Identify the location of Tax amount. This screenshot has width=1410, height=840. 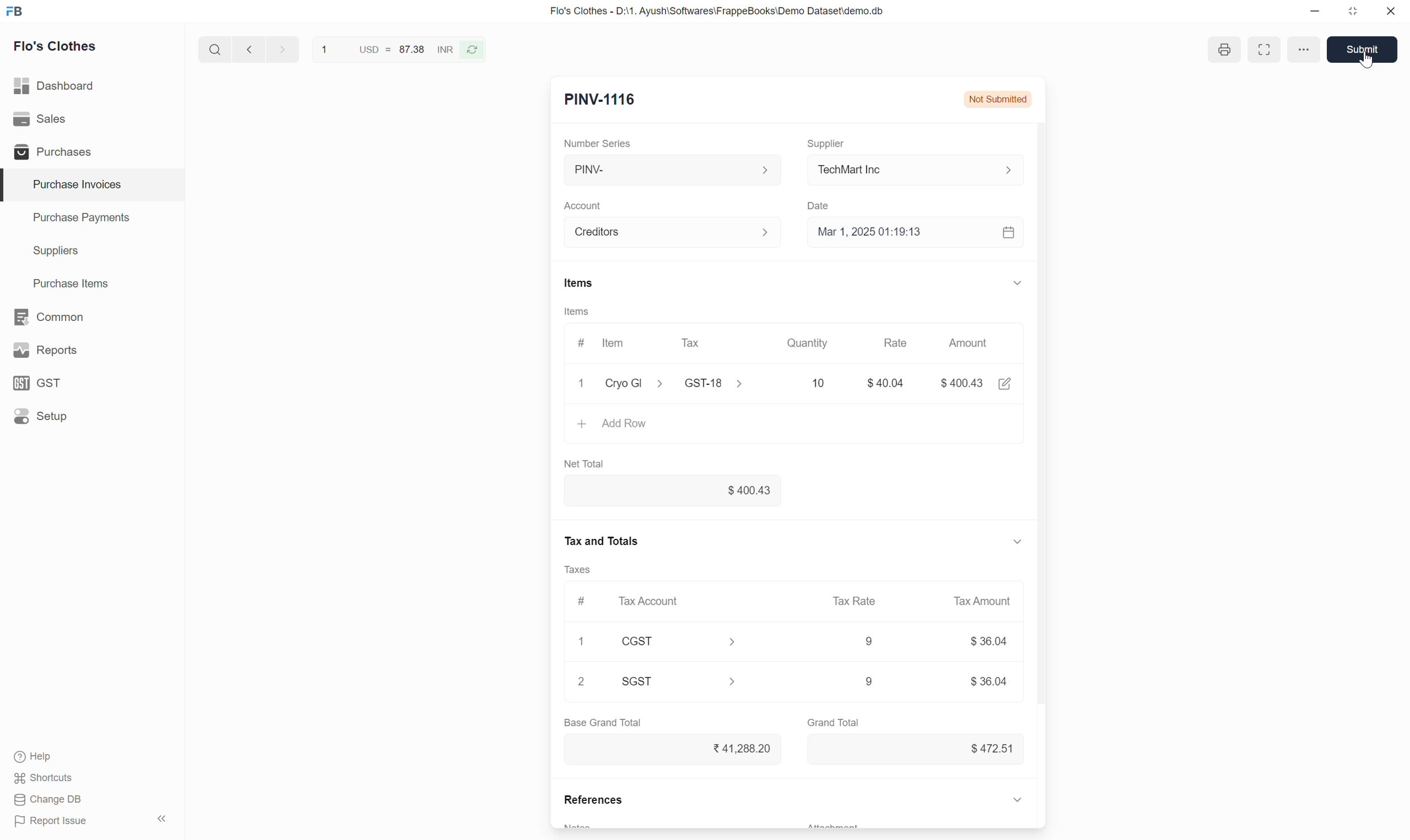
(977, 601).